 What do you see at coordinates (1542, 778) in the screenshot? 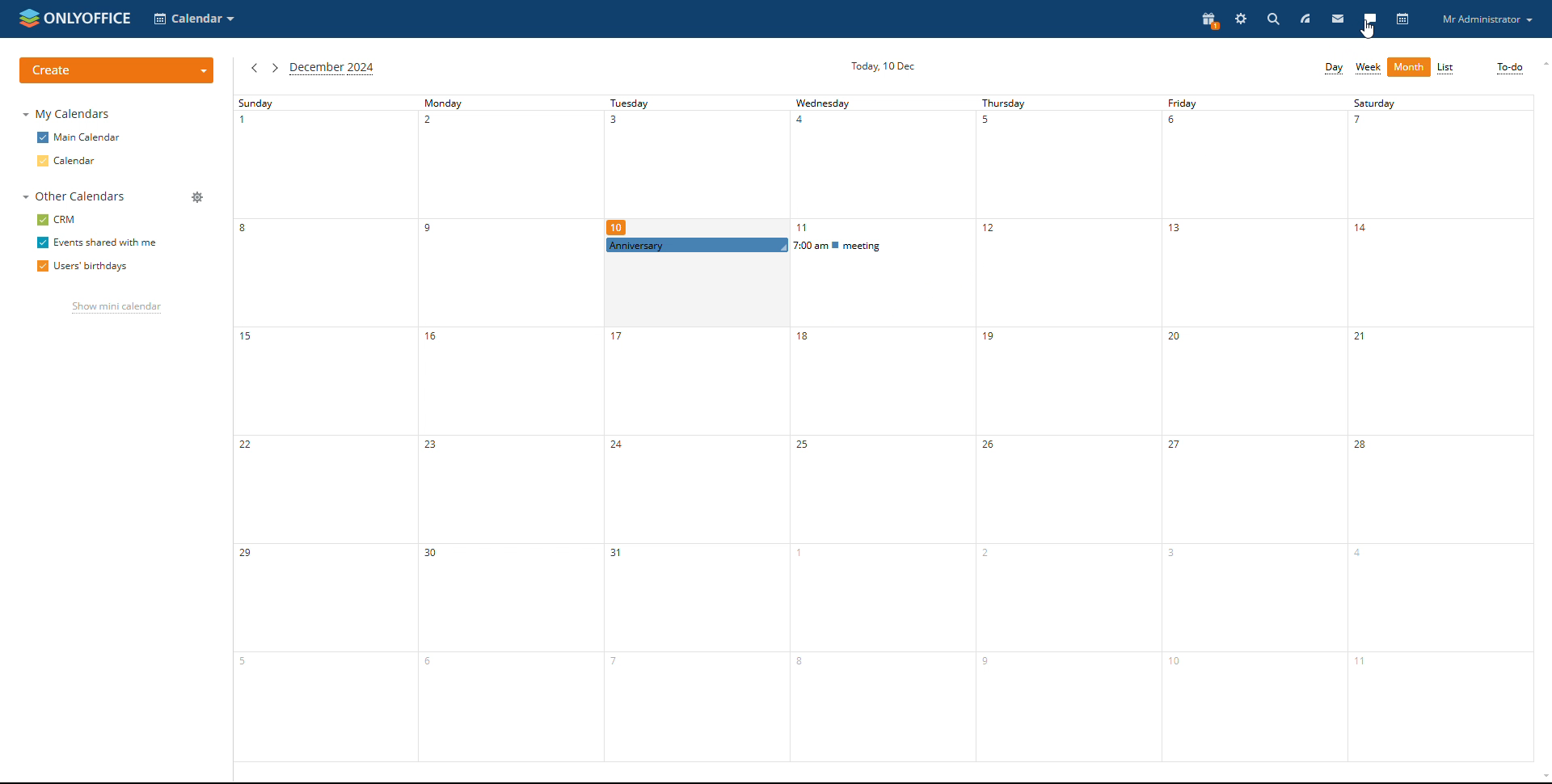
I see `scroll down` at bounding box center [1542, 778].